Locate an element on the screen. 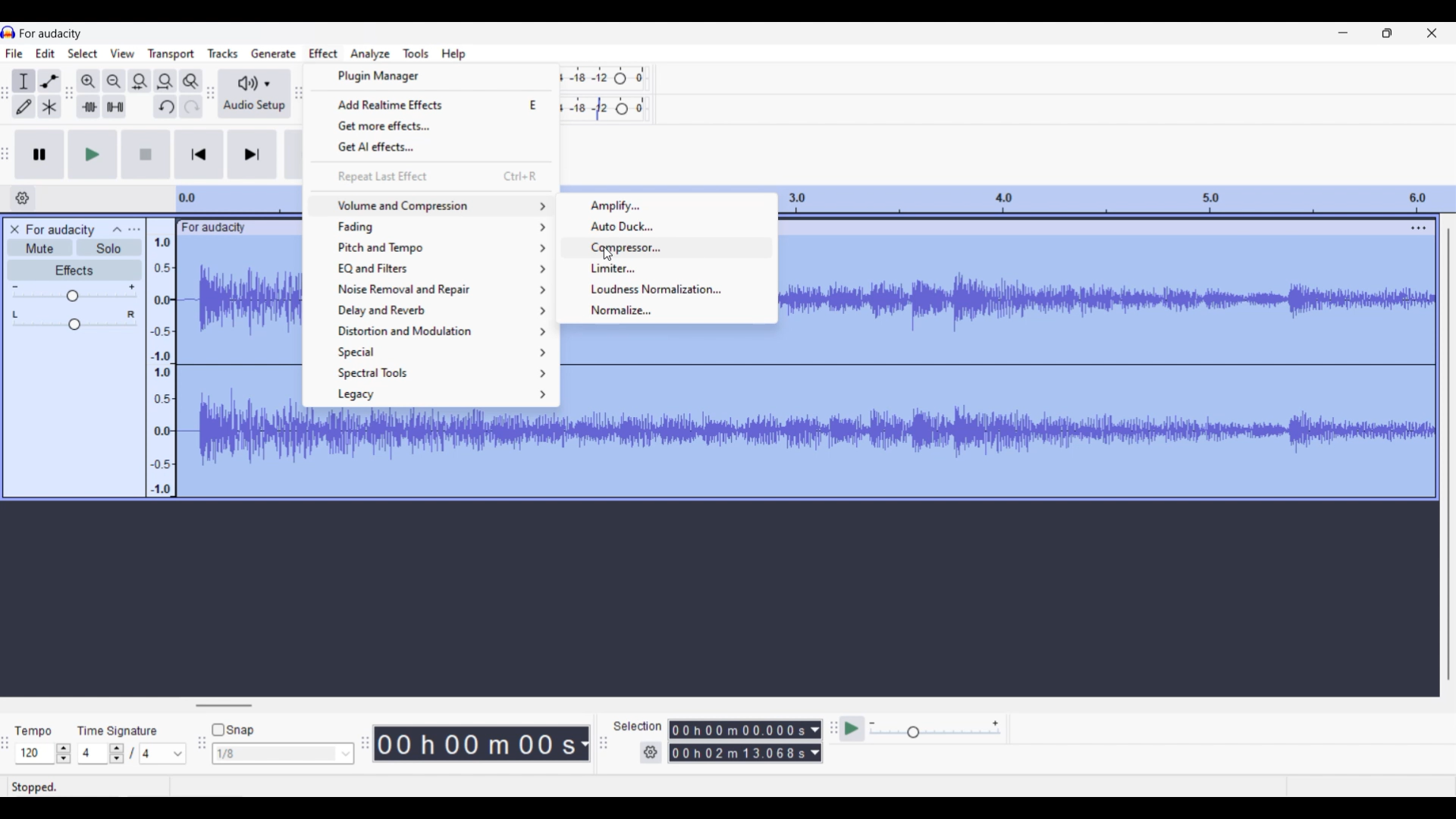 This screenshot has height=819, width=1456. Envelop tool is located at coordinates (50, 81).